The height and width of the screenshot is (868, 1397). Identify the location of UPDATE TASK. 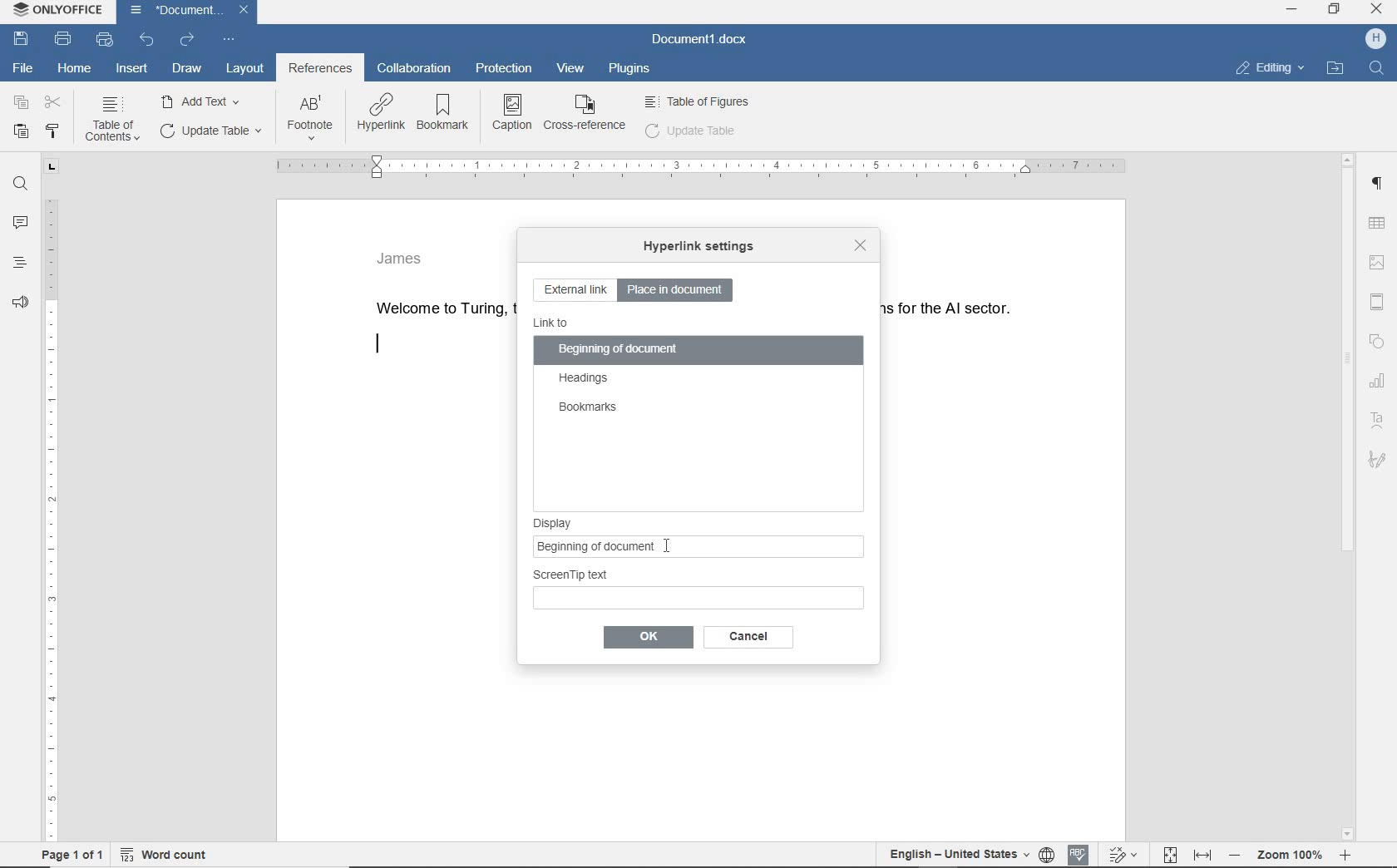
(209, 131).